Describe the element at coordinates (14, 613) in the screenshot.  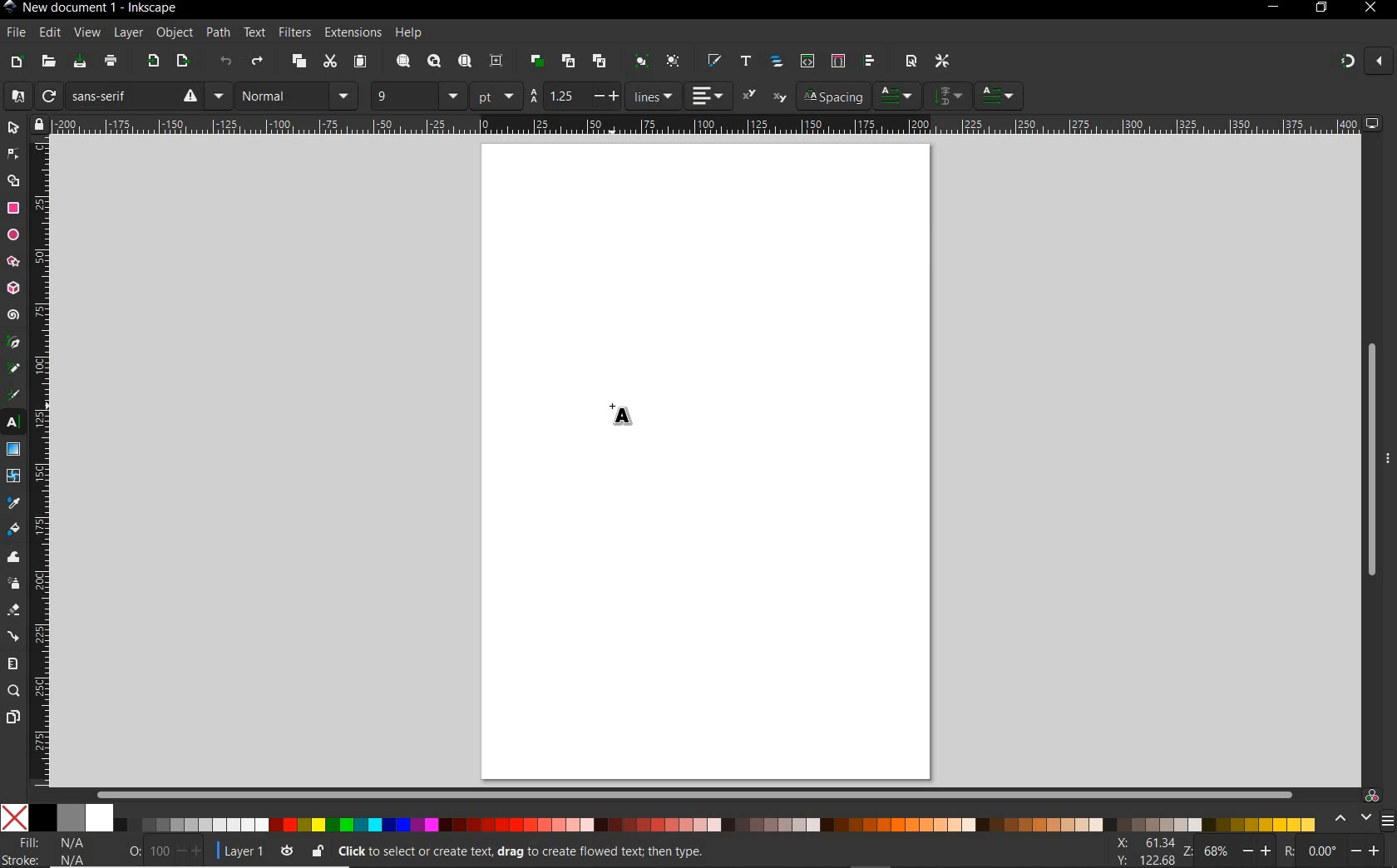
I see `eraser tool` at that location.